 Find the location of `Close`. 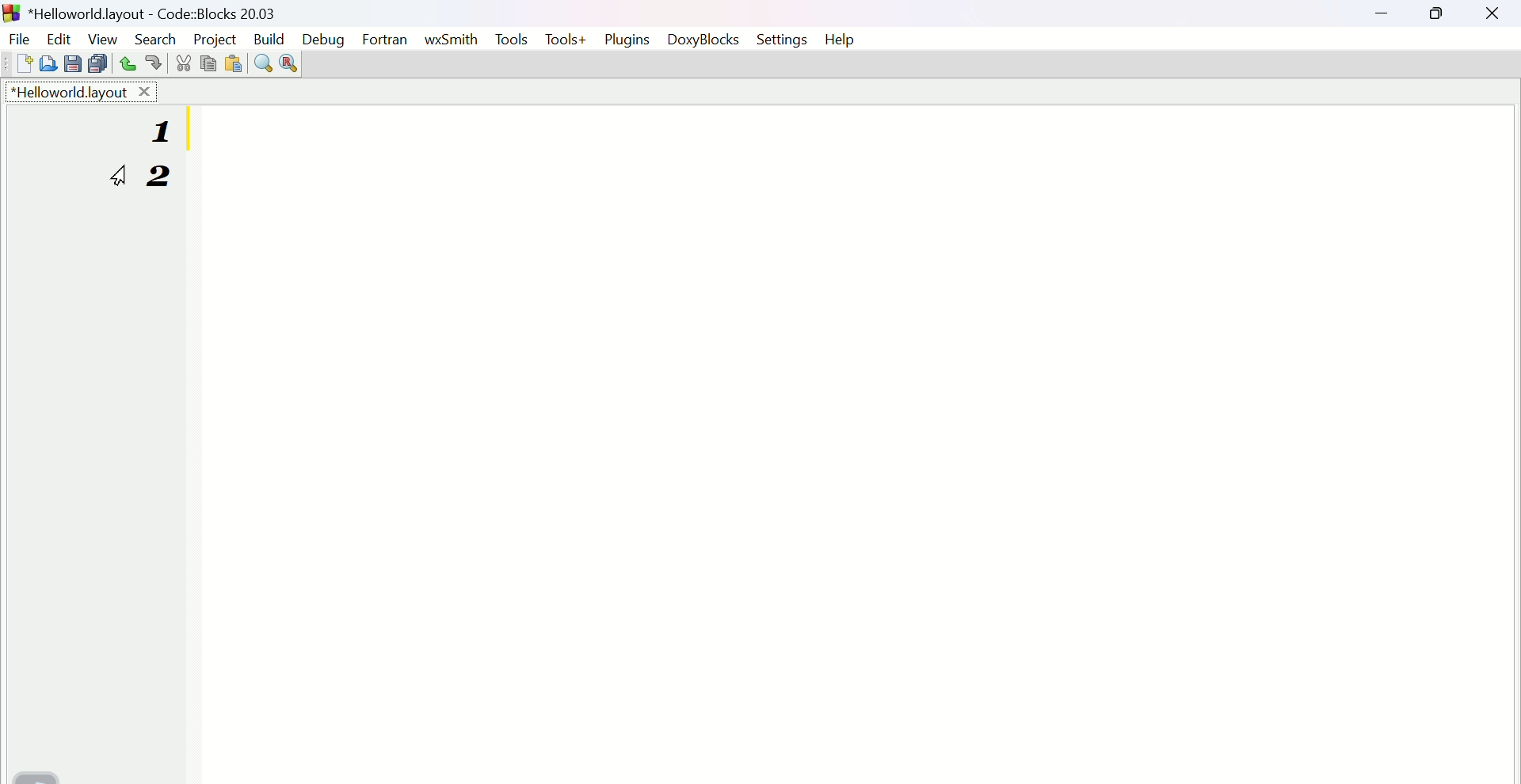

Close is located at coordinates (1496, 17).